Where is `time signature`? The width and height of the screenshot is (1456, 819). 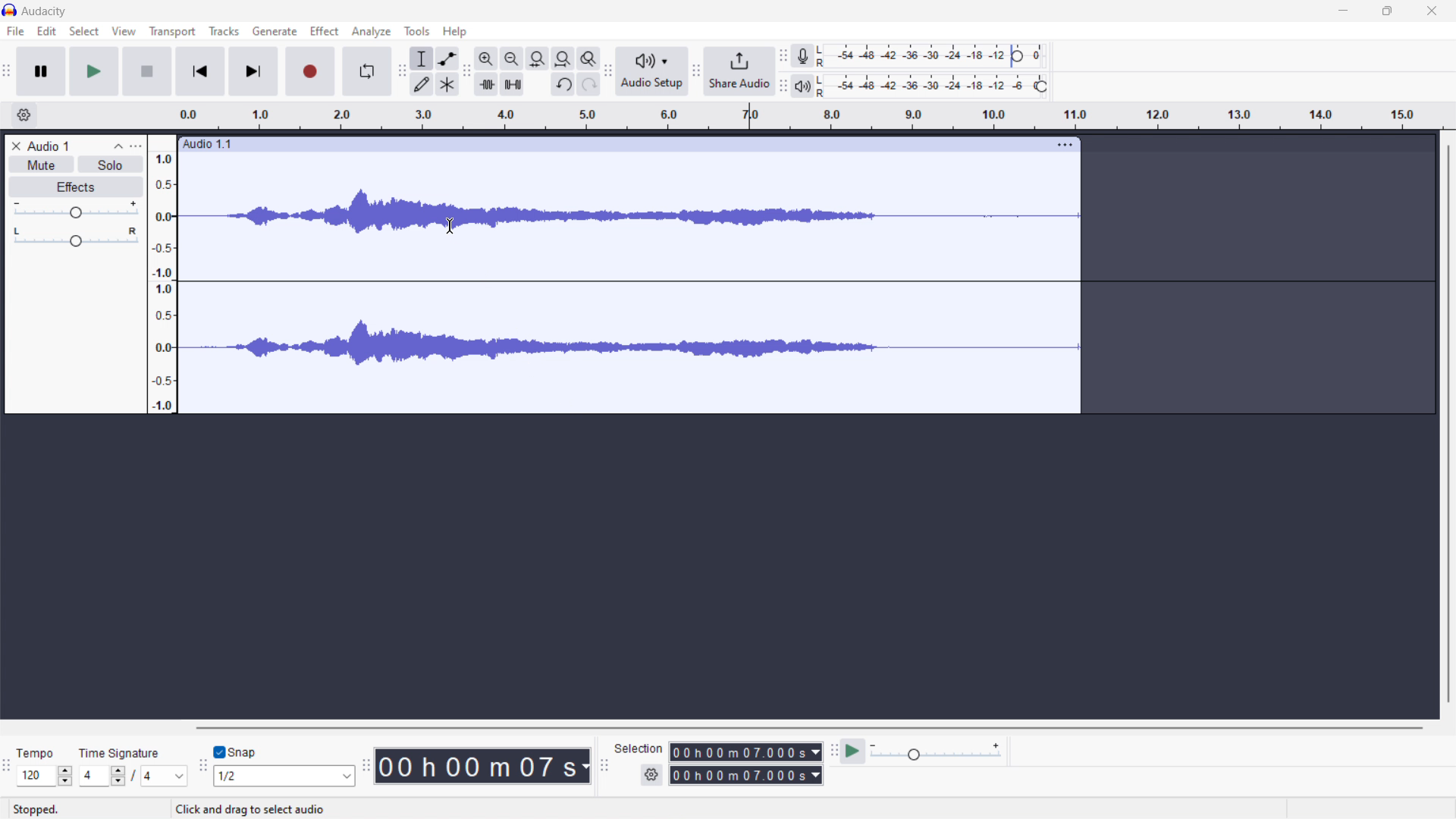 time signature is located at coordinates (807, 114).